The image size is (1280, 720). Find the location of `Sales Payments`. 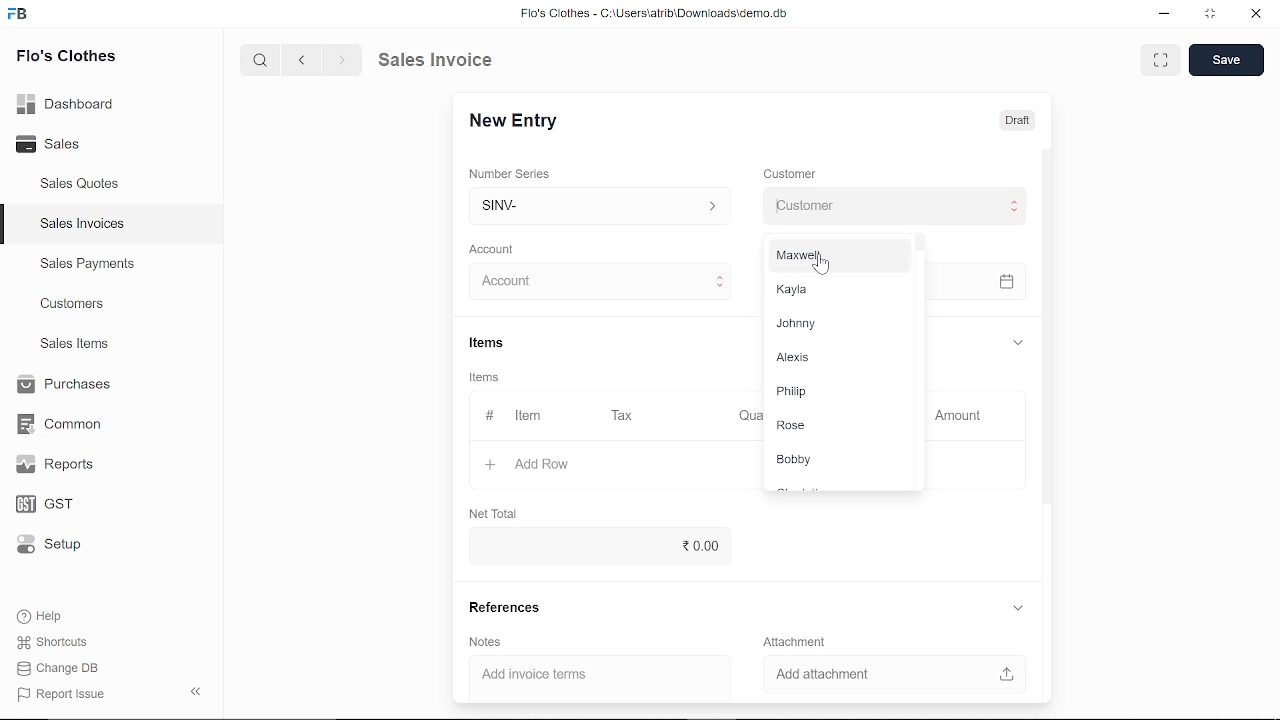

Sales Payments is located at coordinates (87, 264).